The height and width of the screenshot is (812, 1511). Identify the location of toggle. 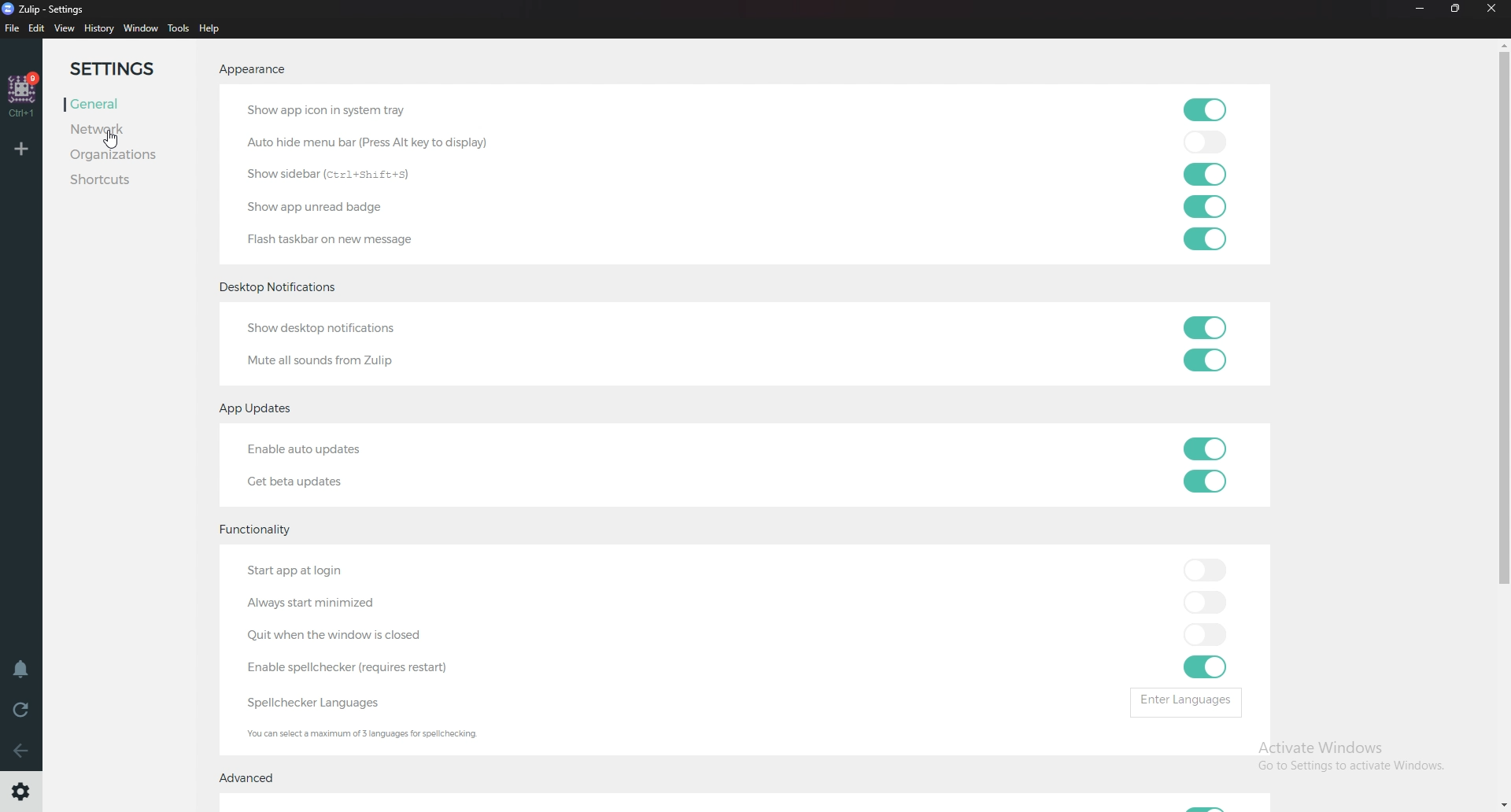
(1207, 109).